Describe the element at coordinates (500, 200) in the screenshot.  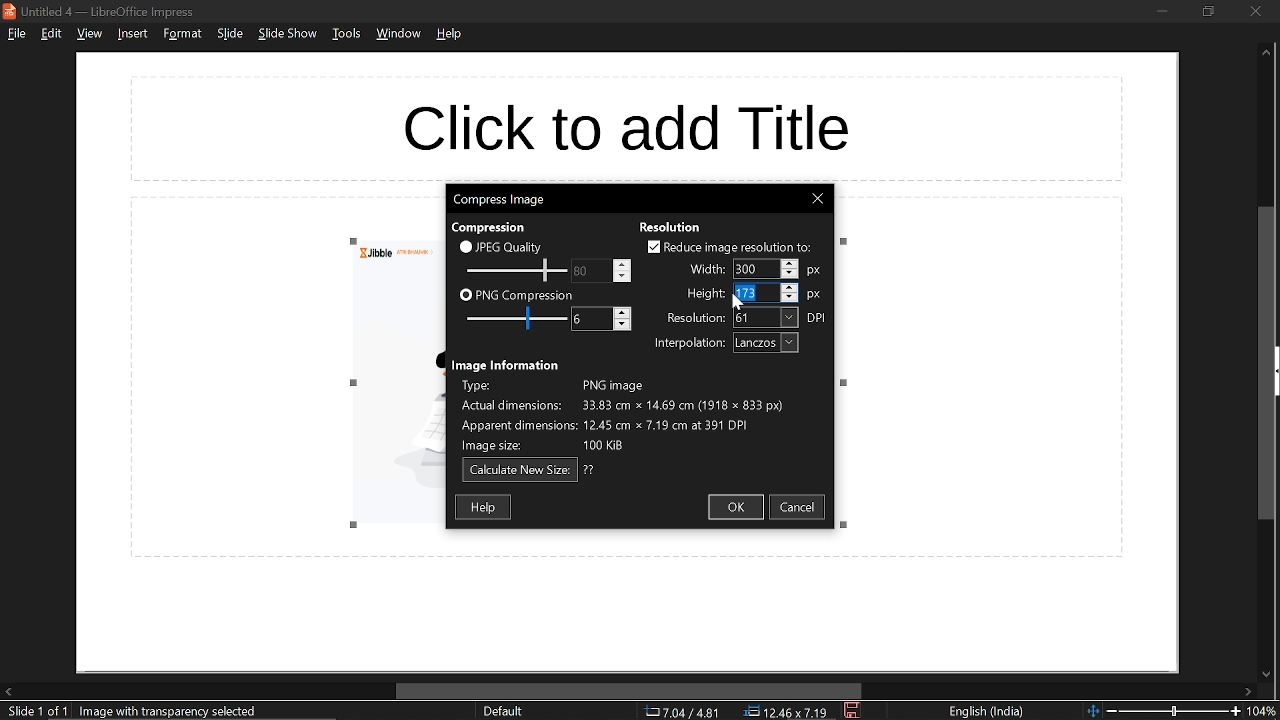
I see `current window` at that location.